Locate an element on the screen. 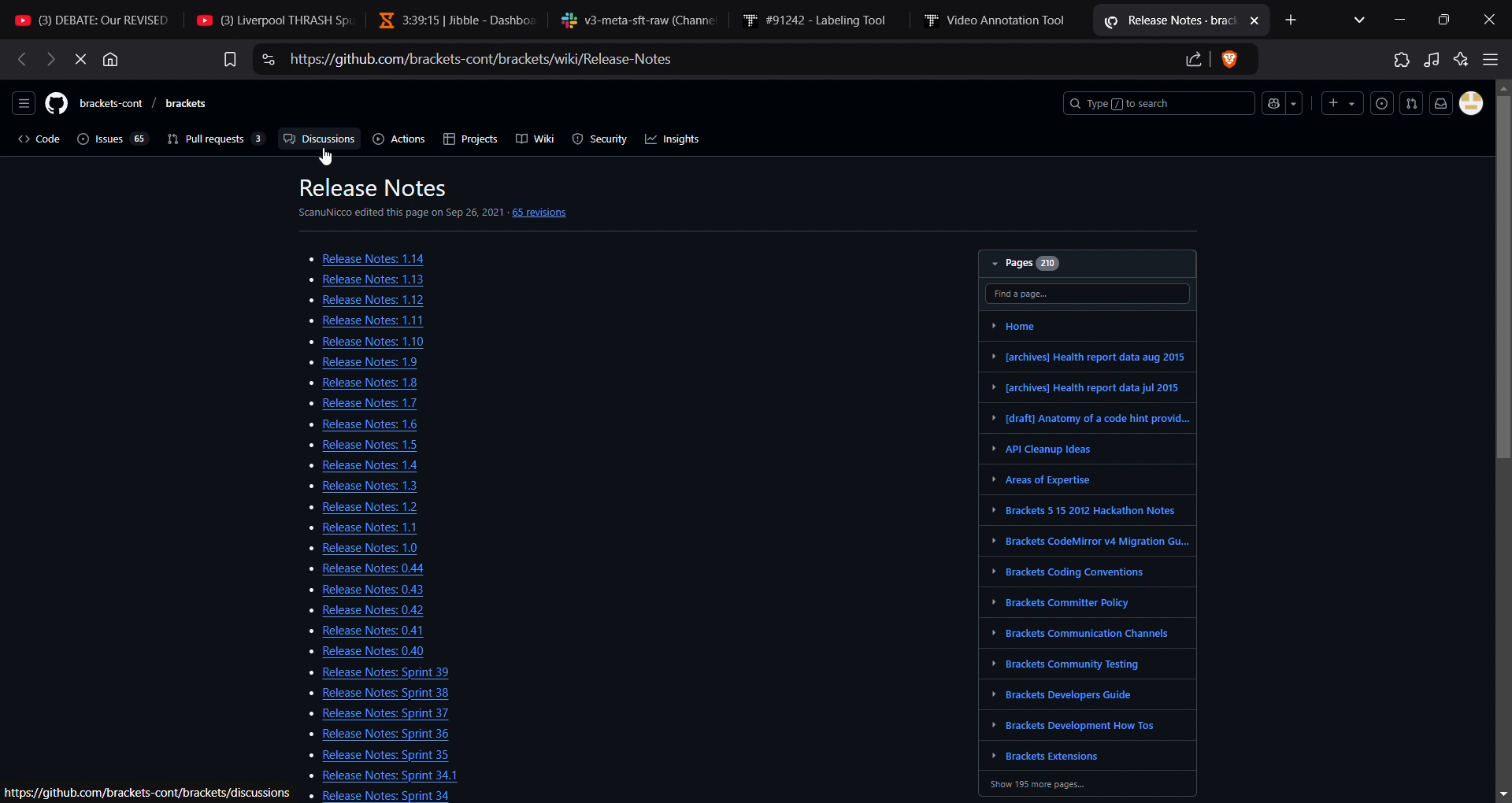 This screenshot has height=803, width=1512. actions is located at coordinates (397, 139).